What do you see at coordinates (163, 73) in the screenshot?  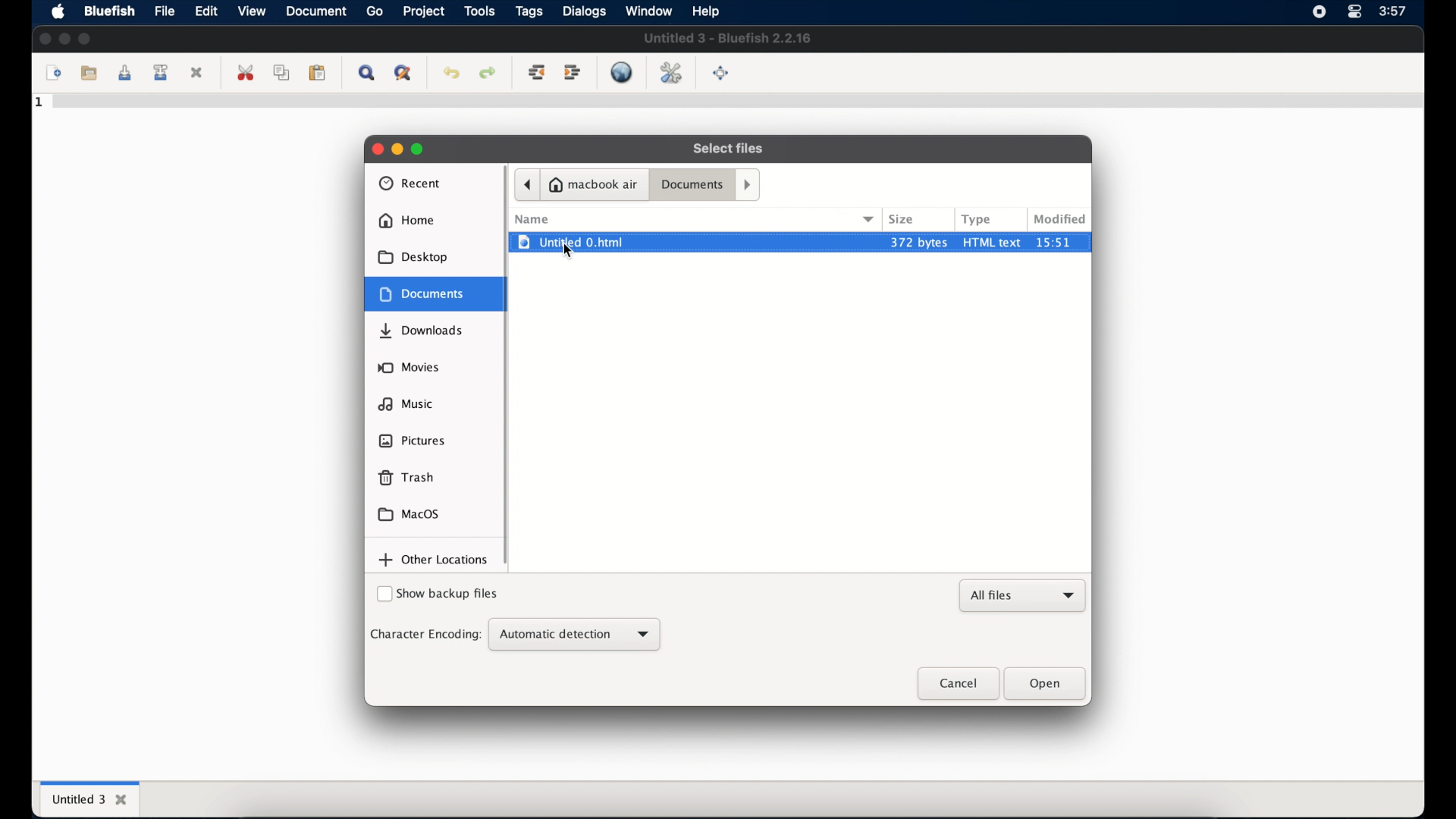 I see `save file as` at bounding box center [163, 73].